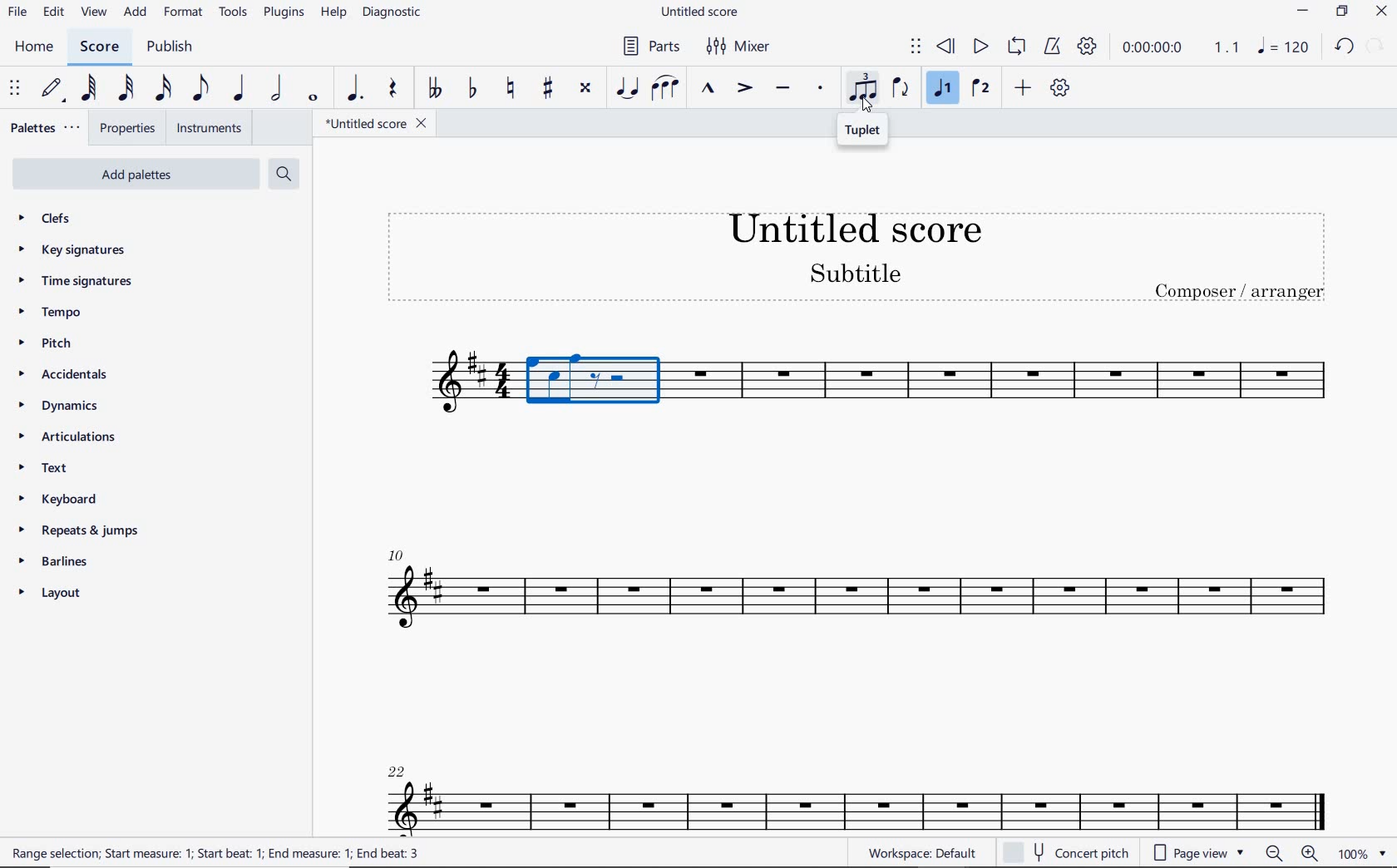 This screenshot has width=1397, height=868. I want to click on STACCATO, so click(821, 90).